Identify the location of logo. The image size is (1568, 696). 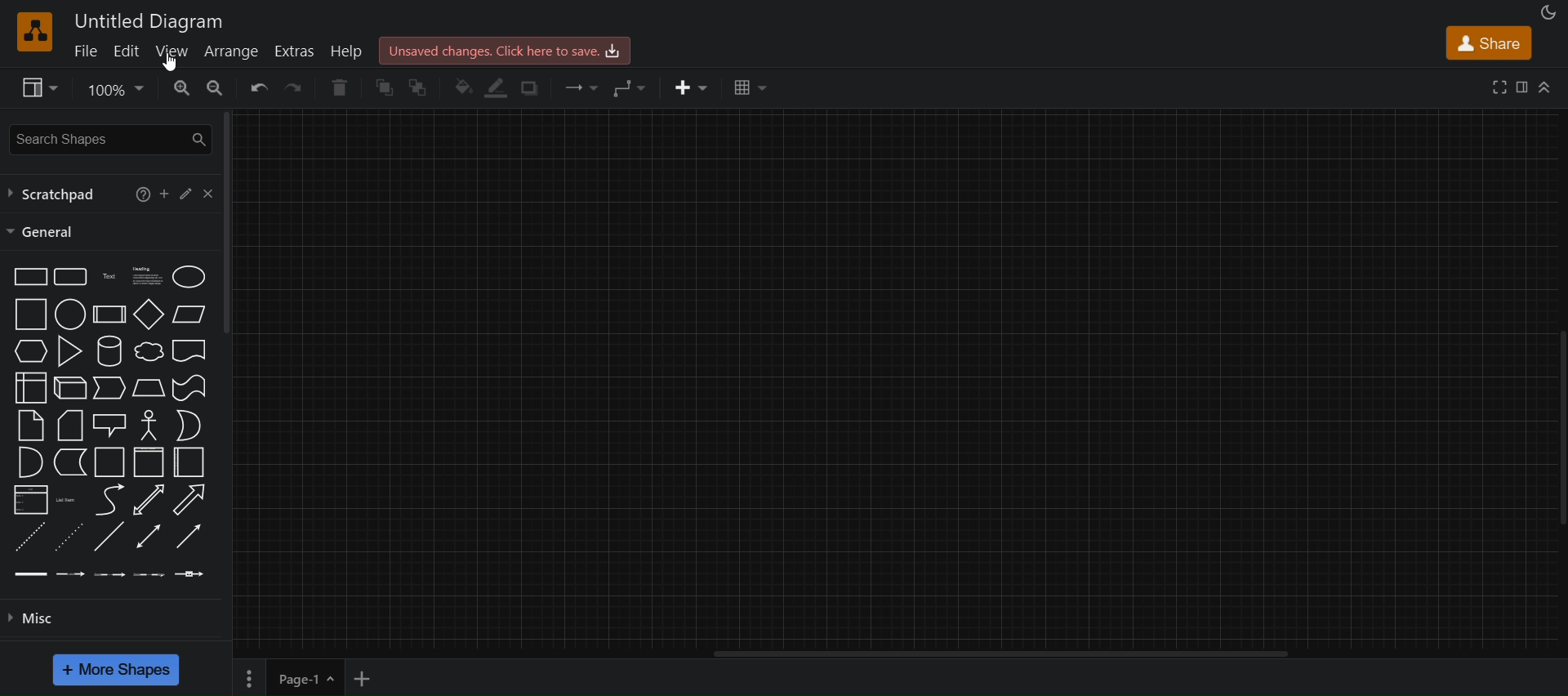
(33, 30).